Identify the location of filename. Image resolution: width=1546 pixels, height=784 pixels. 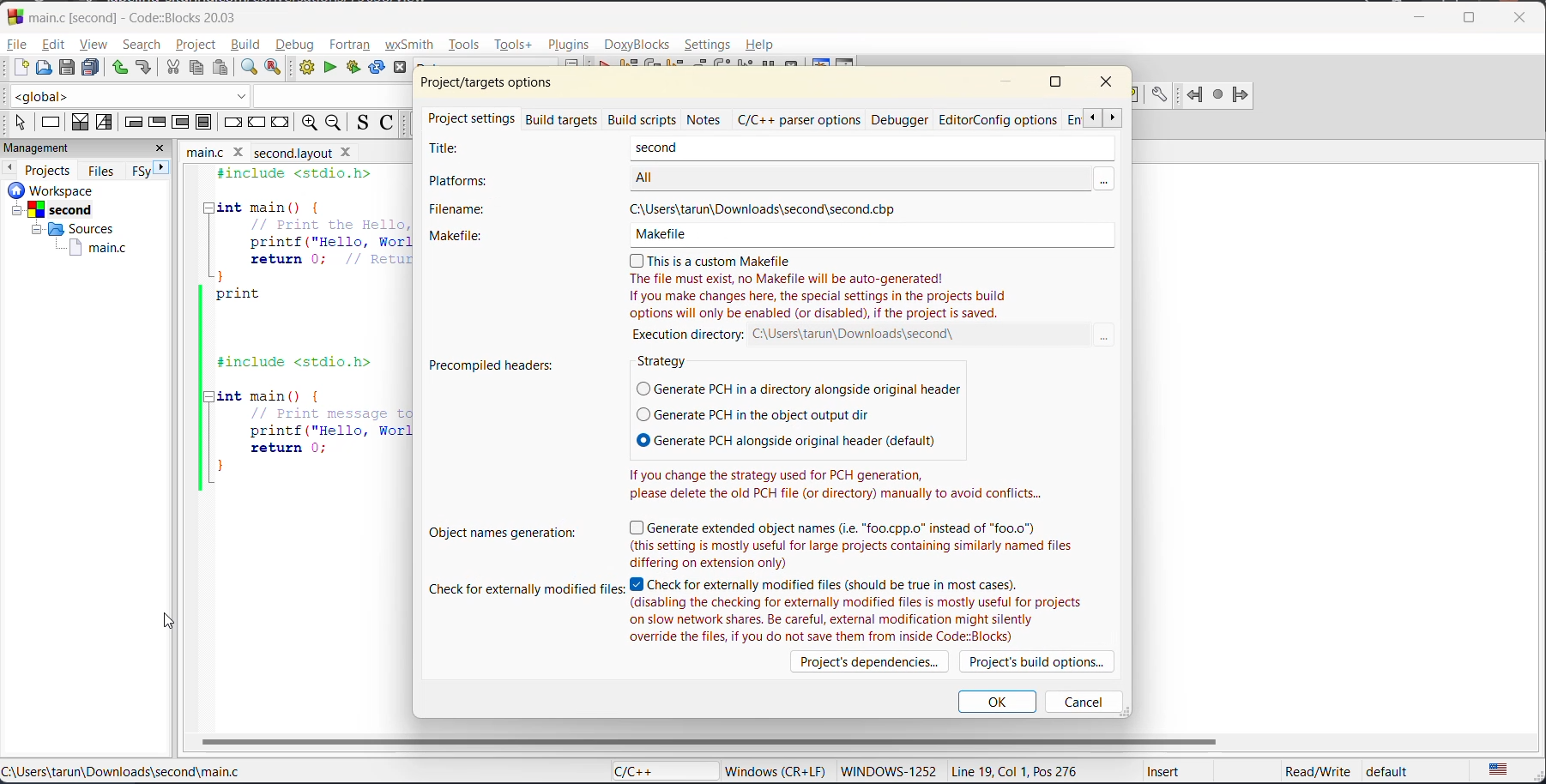
(284, 154).